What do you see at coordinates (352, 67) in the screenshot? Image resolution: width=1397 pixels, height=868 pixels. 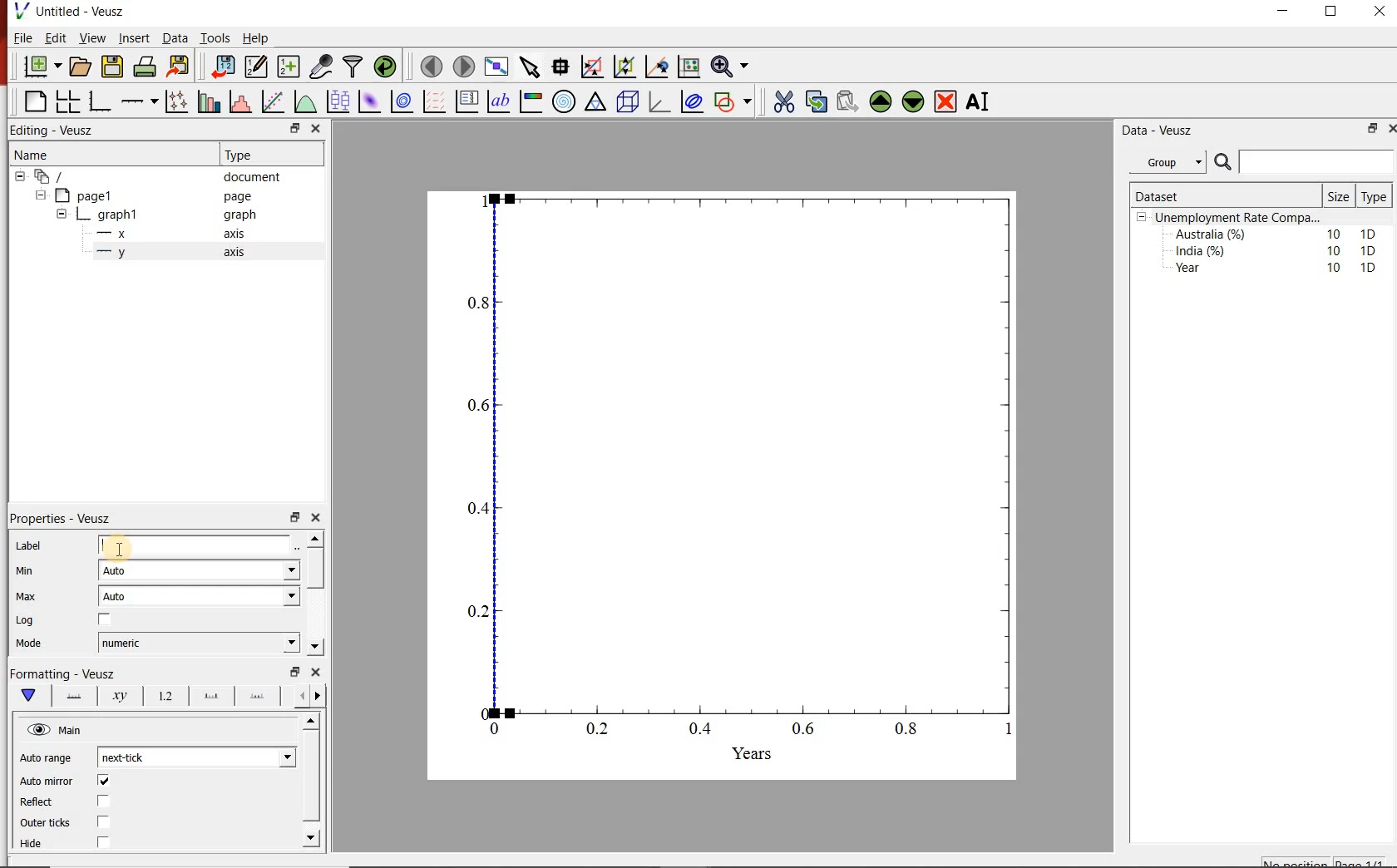 I see `filter data` at bounding box center [352, 67].